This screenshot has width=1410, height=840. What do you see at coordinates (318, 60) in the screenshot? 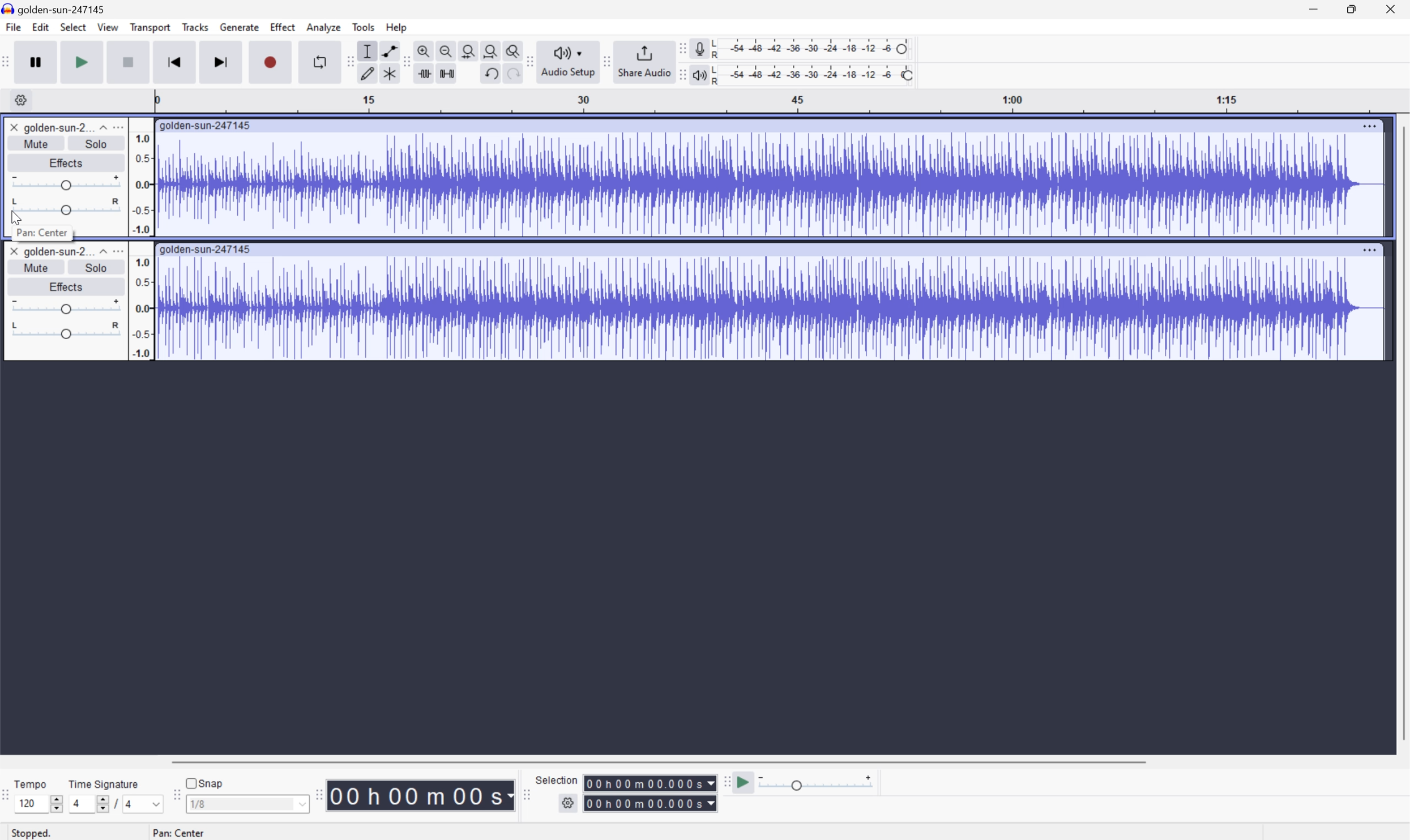
I see `Enable looping` at bounding box center [318, 60].